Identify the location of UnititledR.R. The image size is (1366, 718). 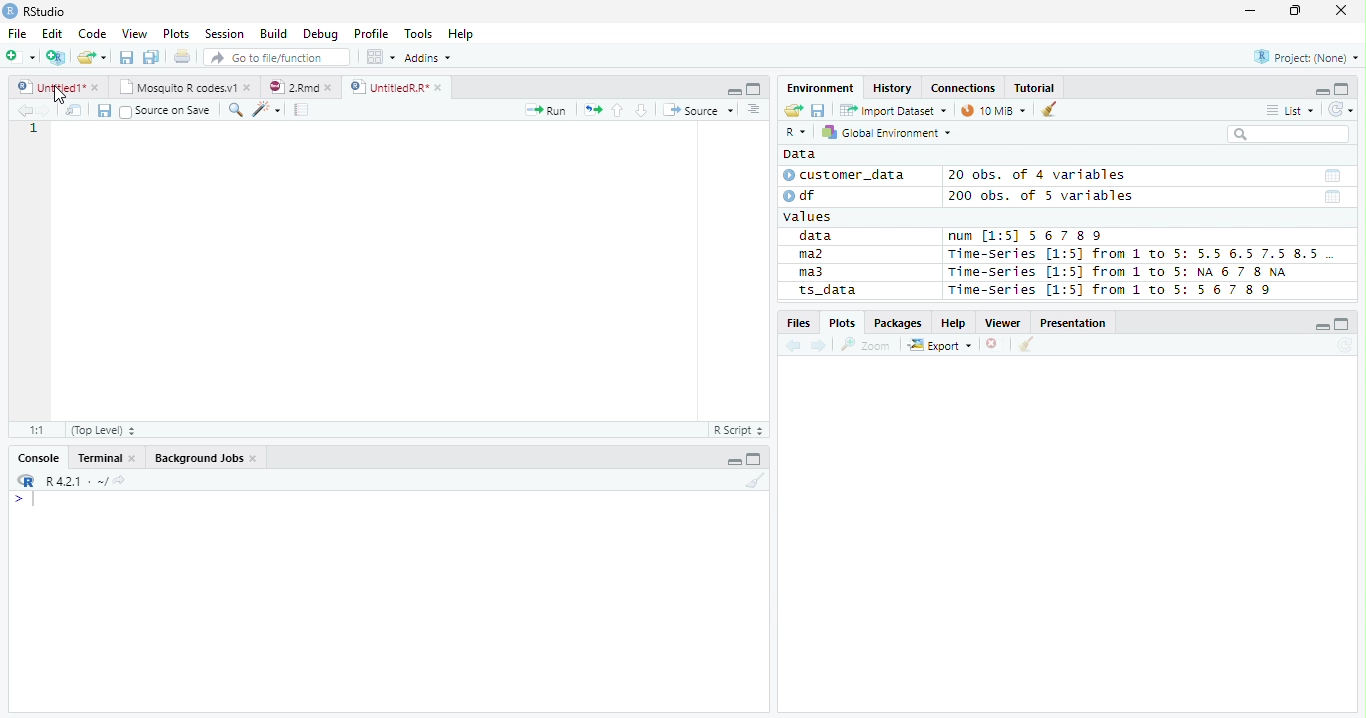
(398, 88).